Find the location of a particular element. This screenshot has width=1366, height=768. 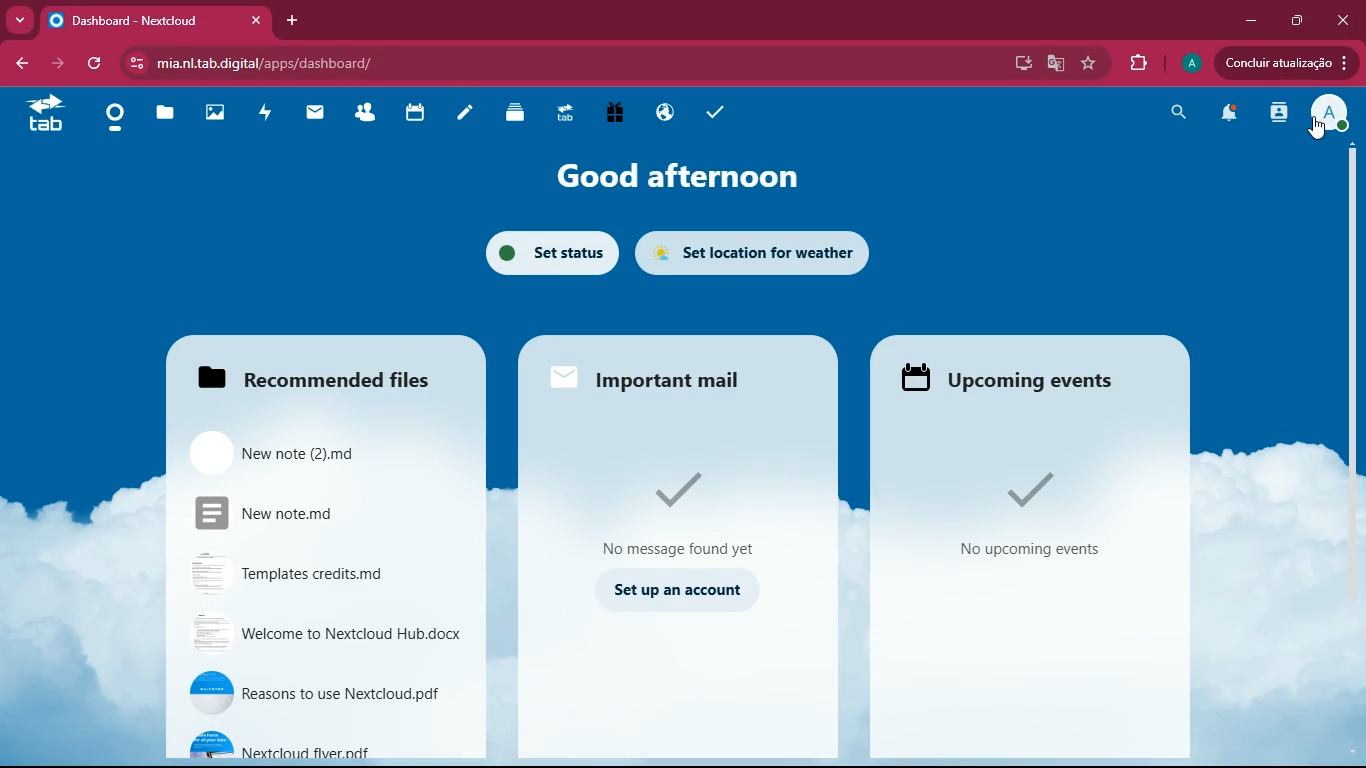

close is located at coordinates (1343, 20).